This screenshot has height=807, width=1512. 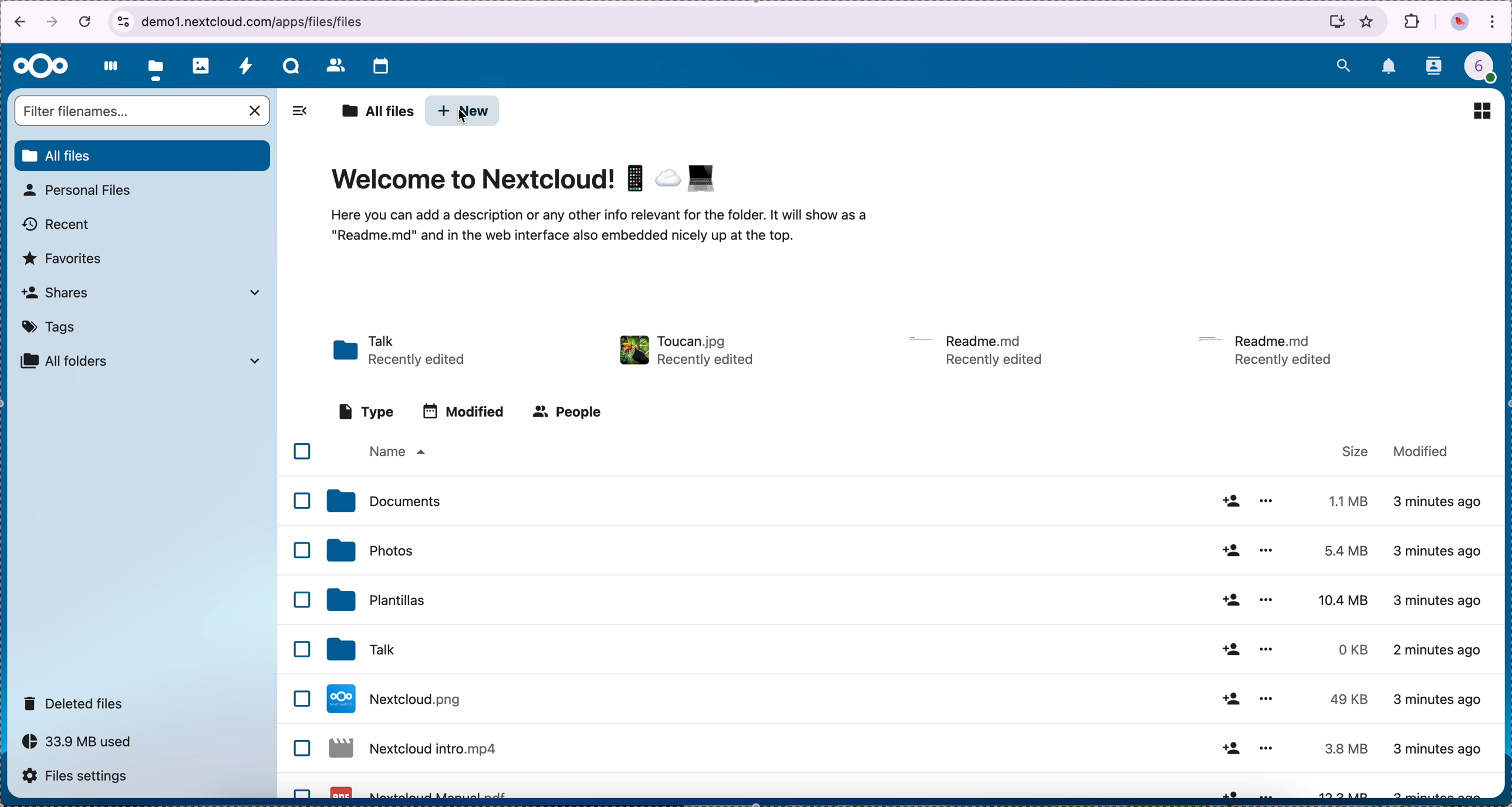 I want to click on click on new button, so click(x=463, y=112).